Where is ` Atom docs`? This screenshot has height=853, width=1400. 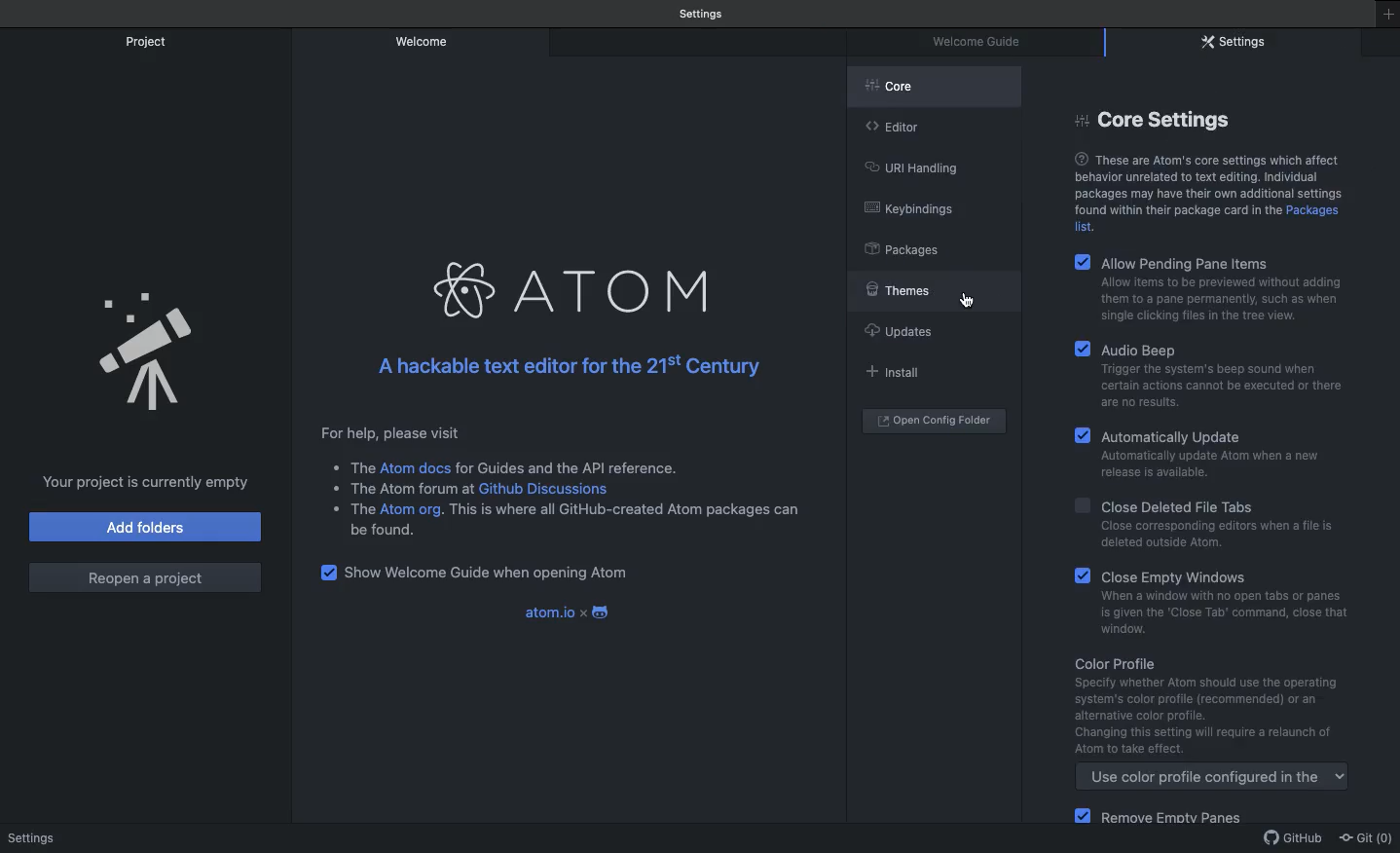  Atom docs is located at coordinates (418, 468).